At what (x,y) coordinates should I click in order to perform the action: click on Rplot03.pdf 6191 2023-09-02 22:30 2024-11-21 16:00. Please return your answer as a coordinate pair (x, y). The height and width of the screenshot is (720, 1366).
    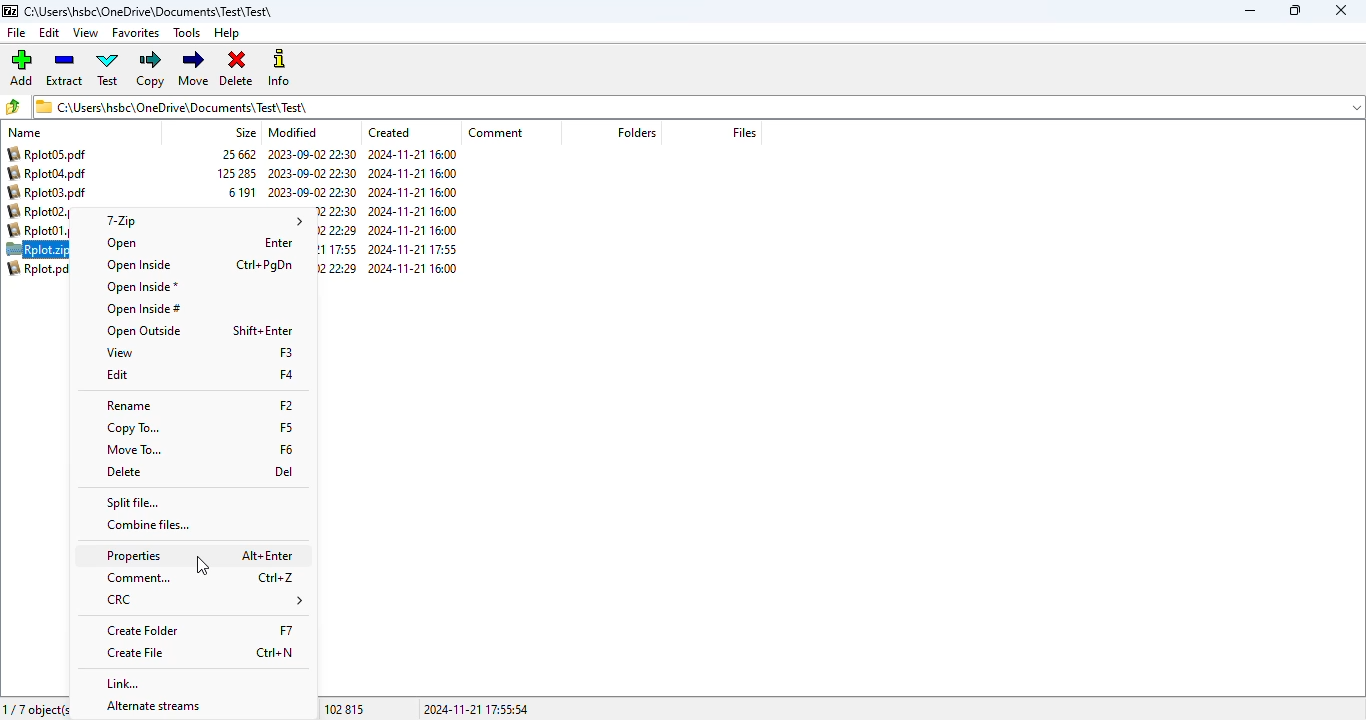
    Looking at the image, I should click on (234, 192).